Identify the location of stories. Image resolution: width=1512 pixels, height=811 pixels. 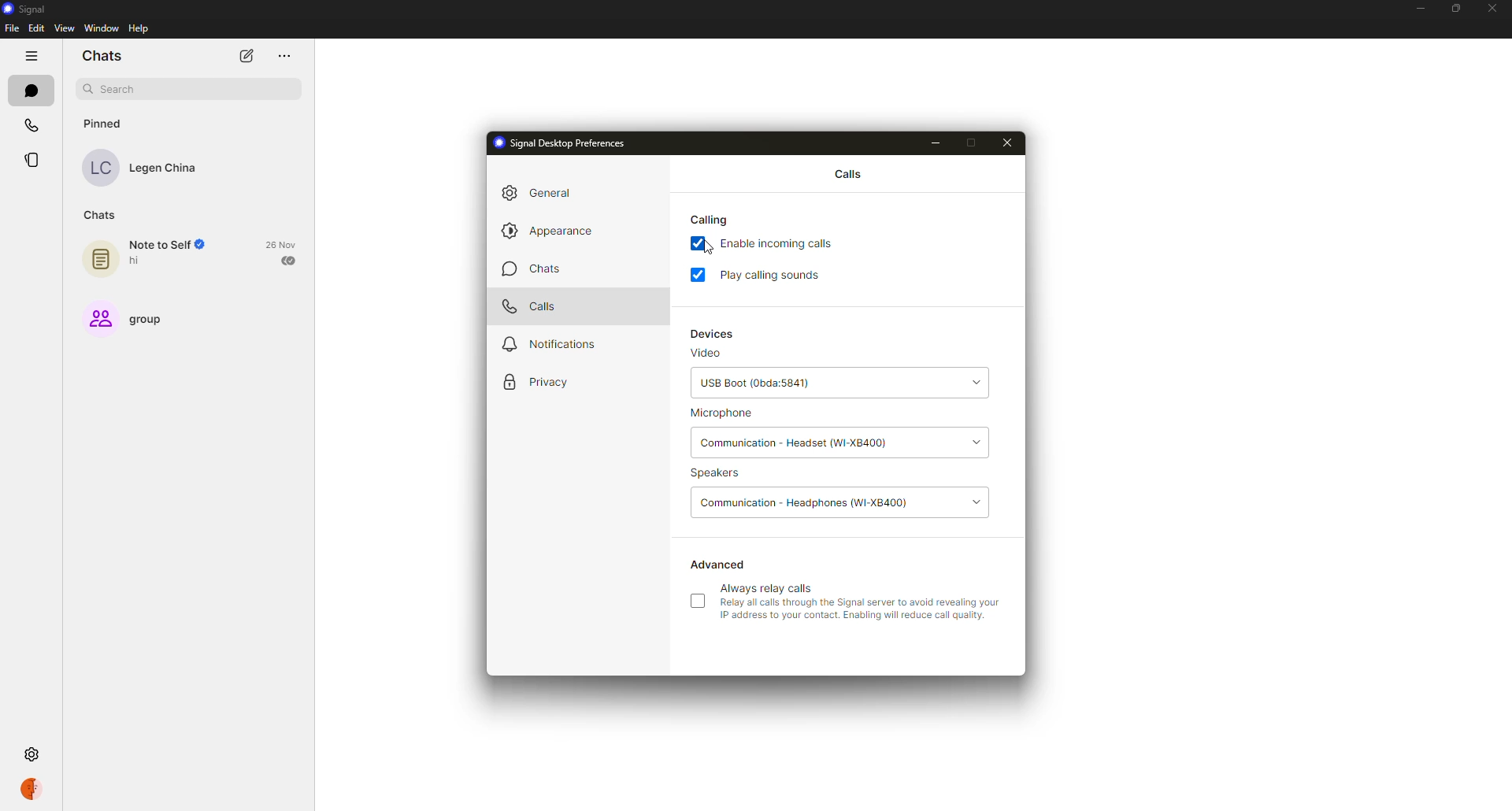
(35, 160).